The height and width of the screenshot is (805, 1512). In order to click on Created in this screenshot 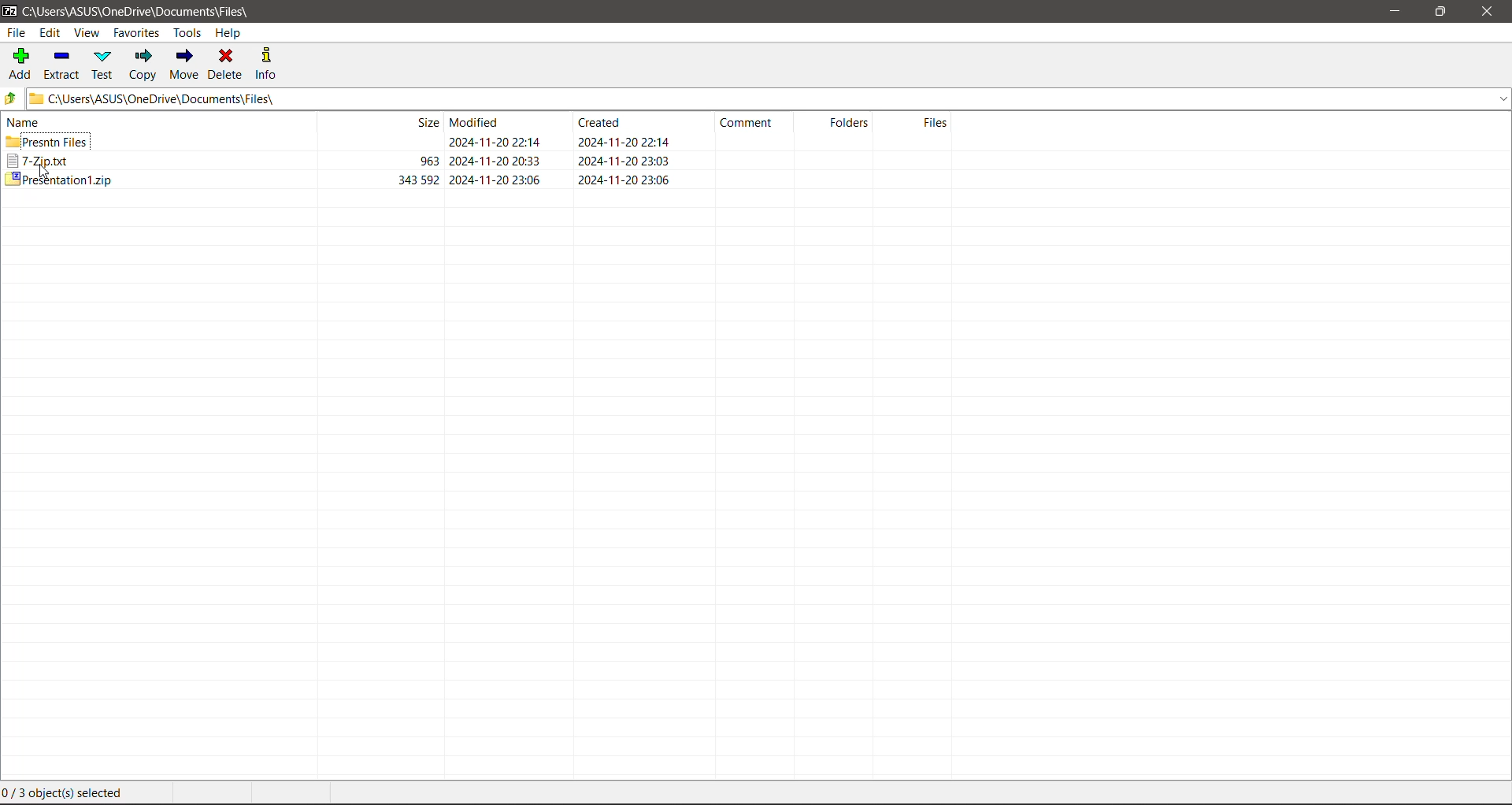, I will do `click(626, 154)`.